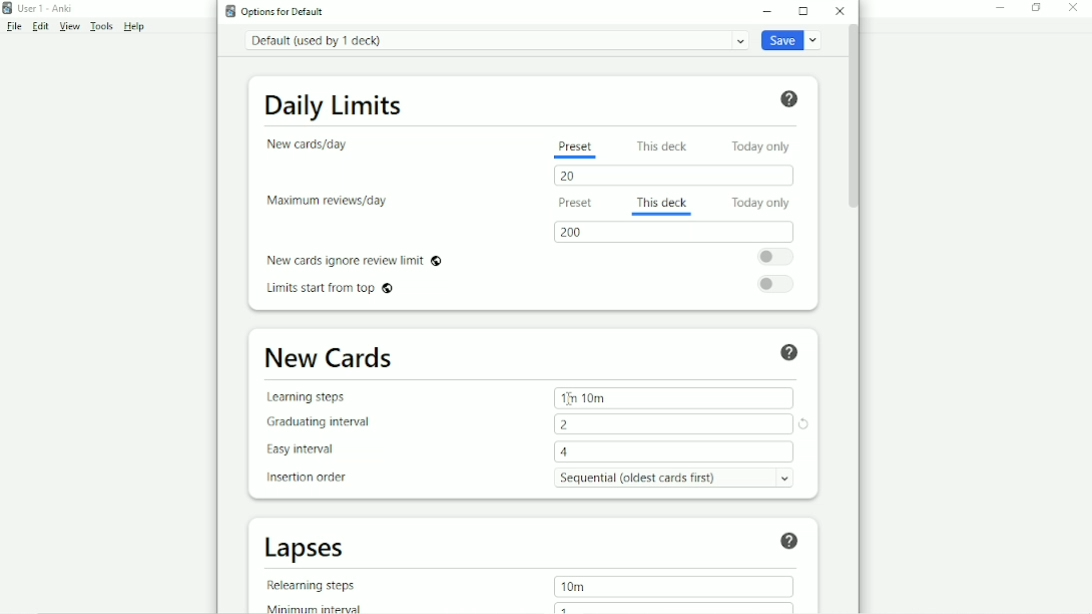 This screenshot has width=1092, height=614. What do you see at coordinates (778, 285) in the screenshot?
I see `Toggle on/off` at bounding box center [778, 285].